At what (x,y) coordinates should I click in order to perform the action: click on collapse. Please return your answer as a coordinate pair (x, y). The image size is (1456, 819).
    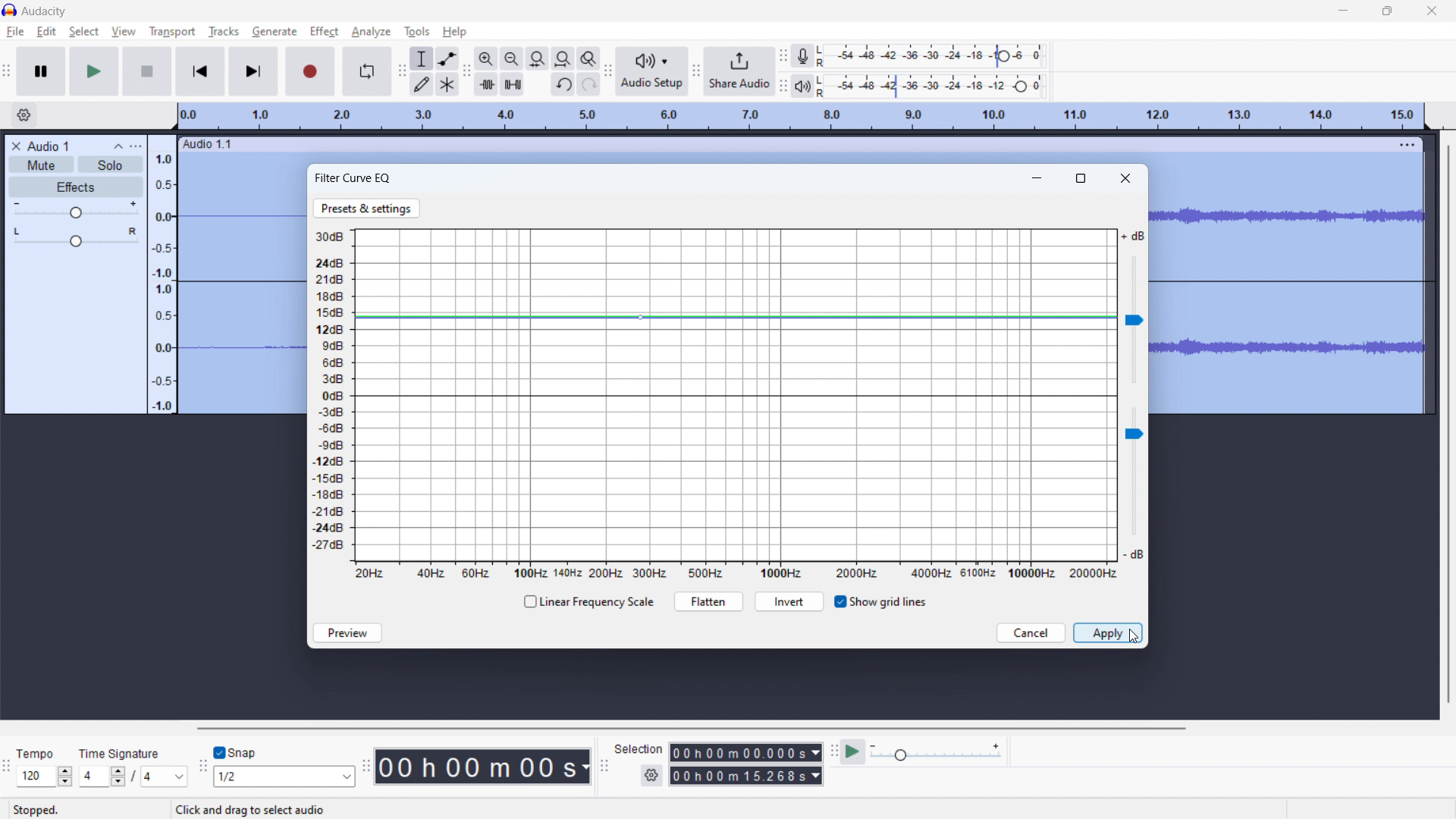
    Looking at the image, I should click on (119, 147).